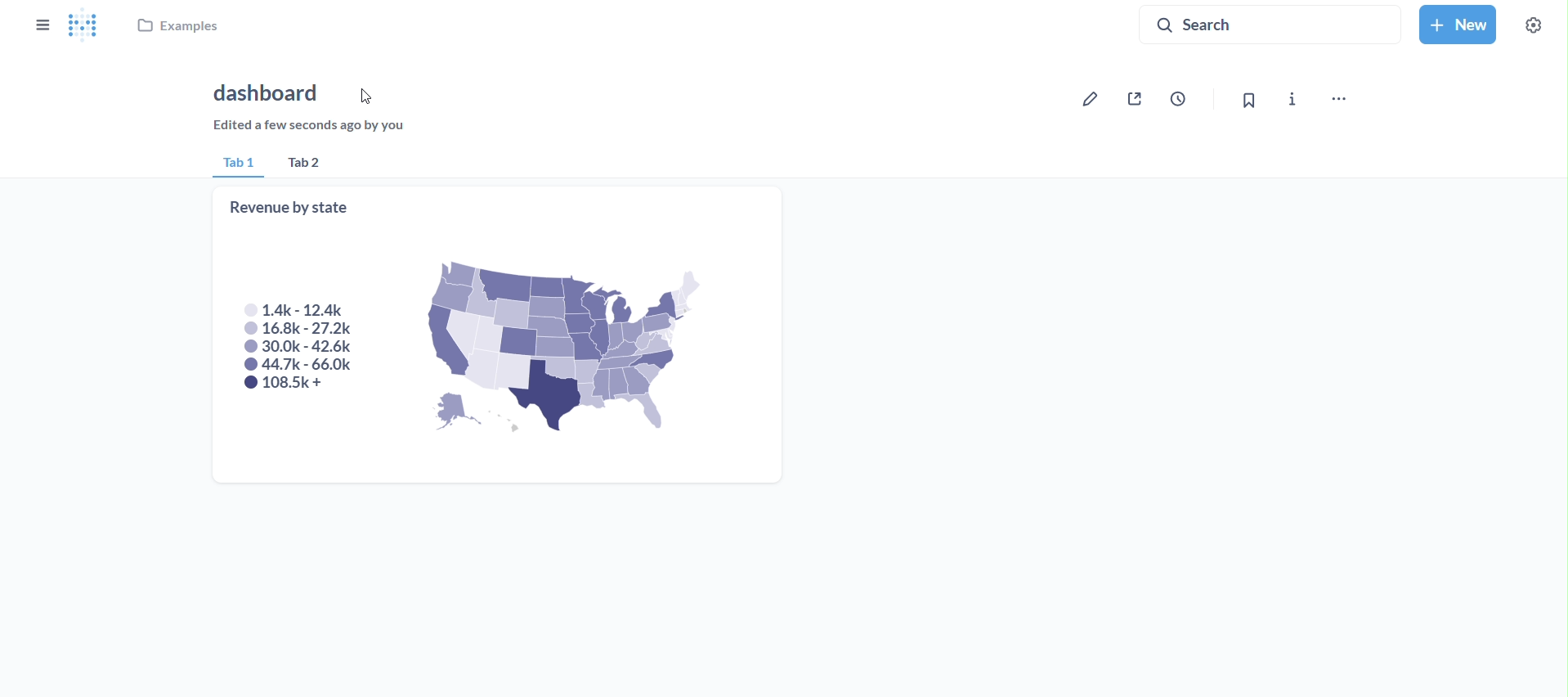 This screenshot has width=1568, height=697. I want to click on more info, so click(1292, 100).